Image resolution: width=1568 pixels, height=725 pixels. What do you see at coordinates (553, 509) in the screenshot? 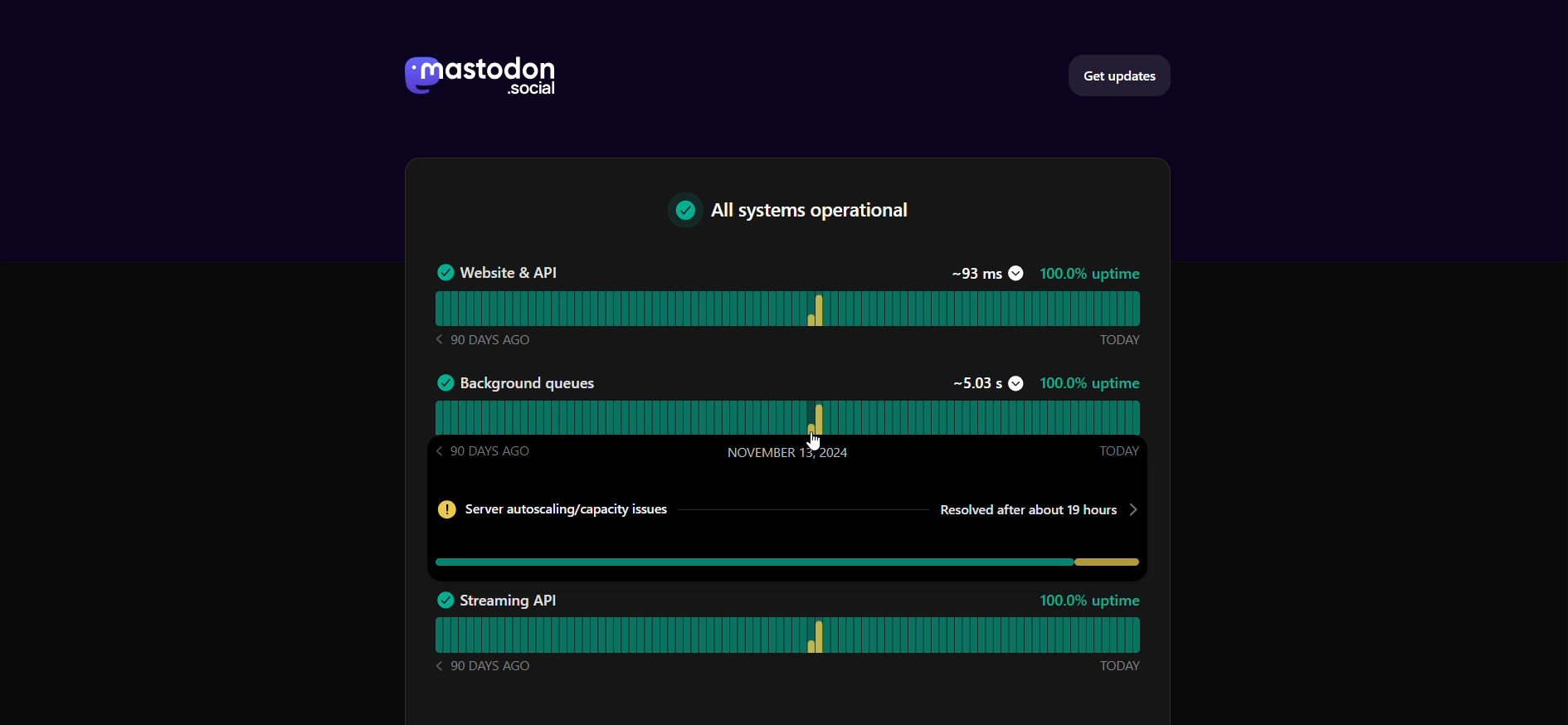
I see `Server info` at bounding box center [553, 509].